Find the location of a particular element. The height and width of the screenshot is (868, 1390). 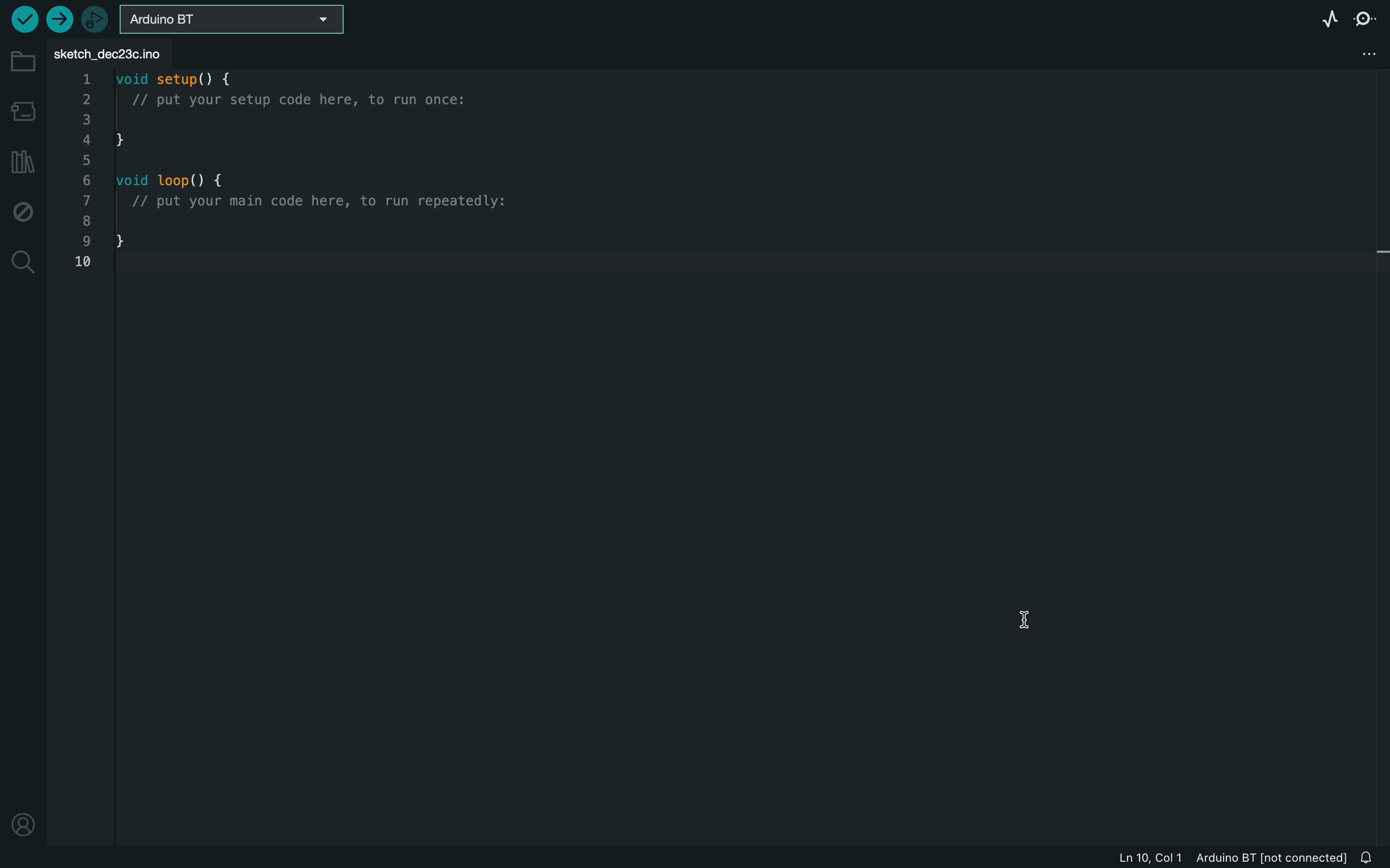

search is located at coordinates (20, 263).